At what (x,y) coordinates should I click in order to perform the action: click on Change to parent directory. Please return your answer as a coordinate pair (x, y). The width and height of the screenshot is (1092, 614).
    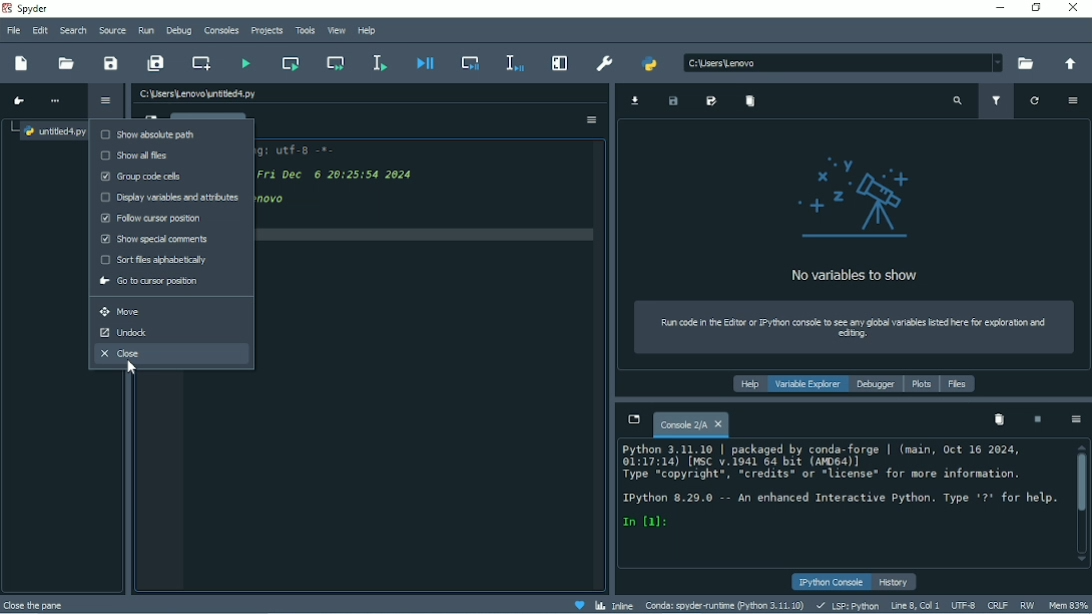
    Looking at the image, I should click on (1069, 64).